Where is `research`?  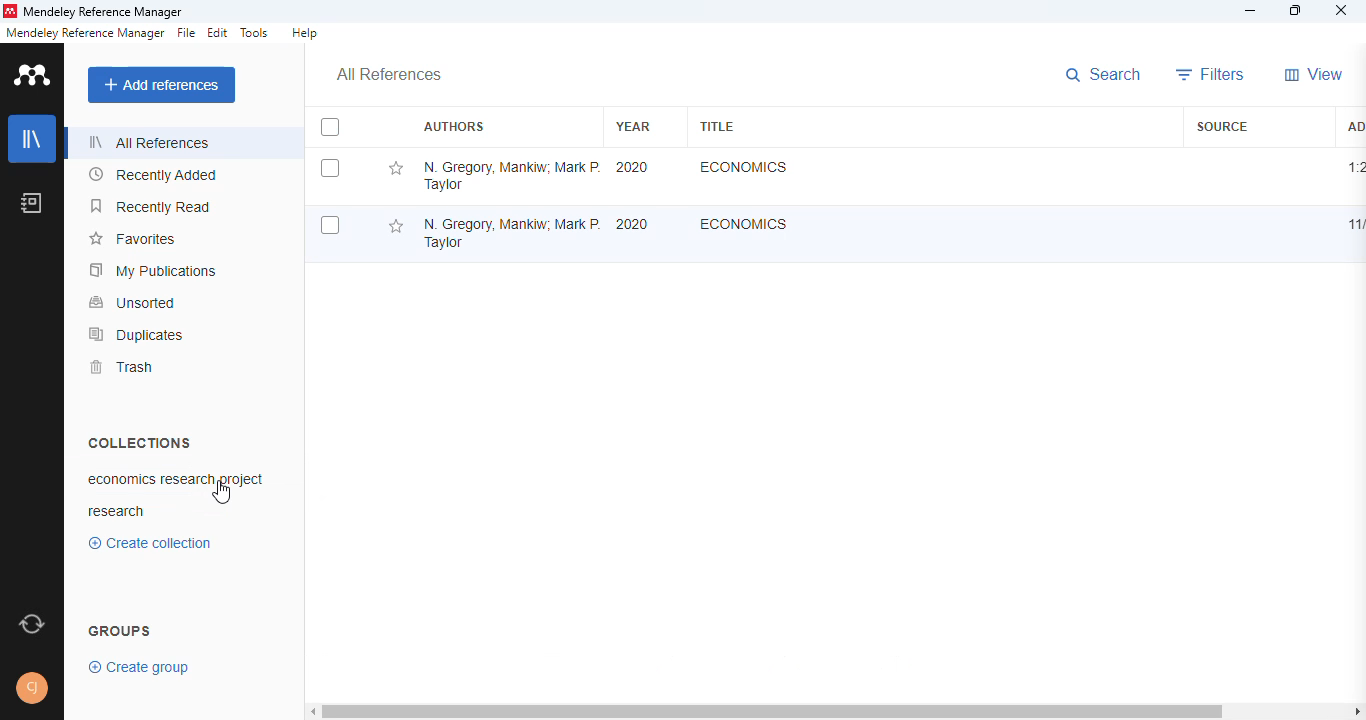 research is located at coordinates (117, 512).